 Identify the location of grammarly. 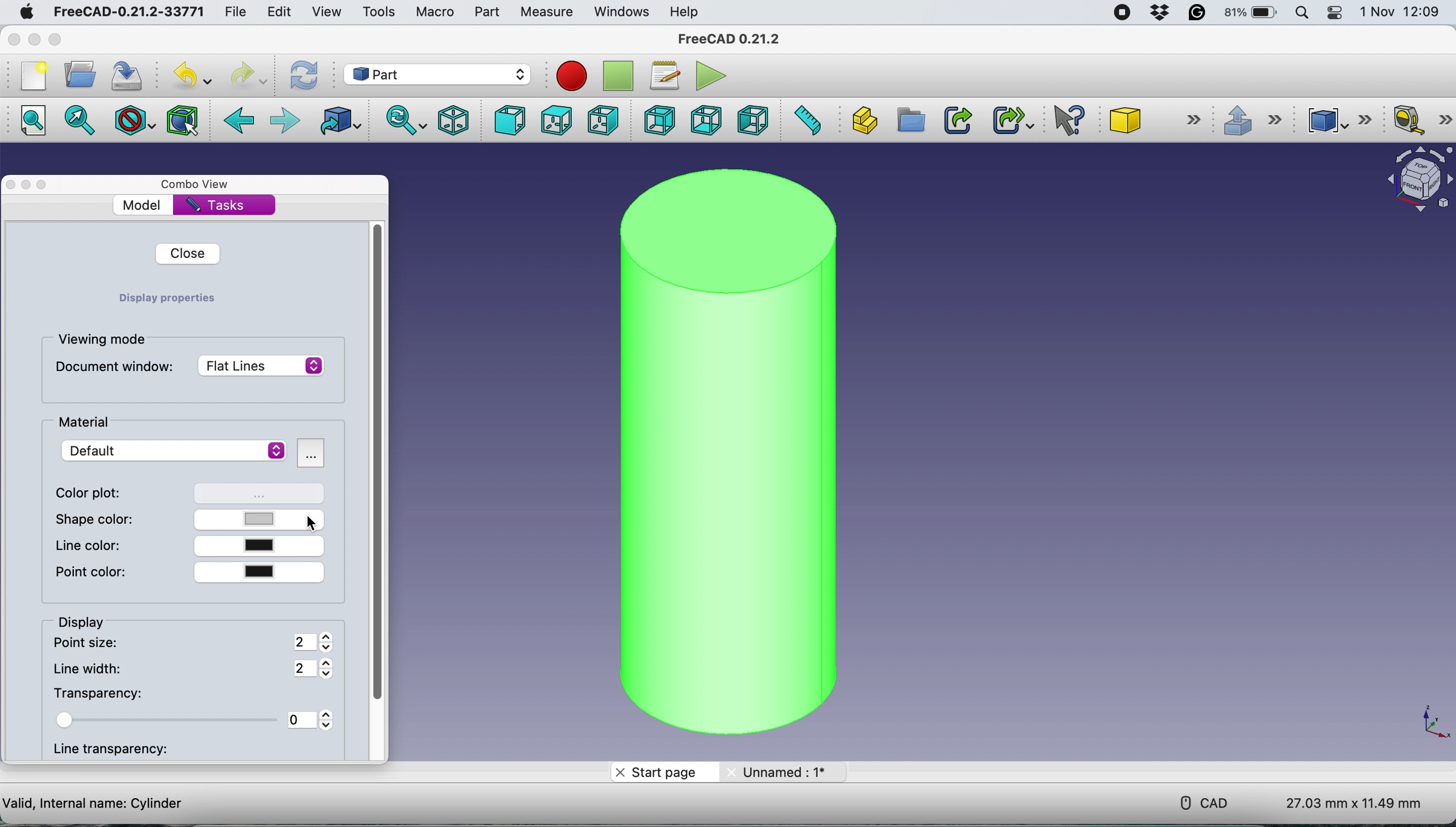
(1197, 14).